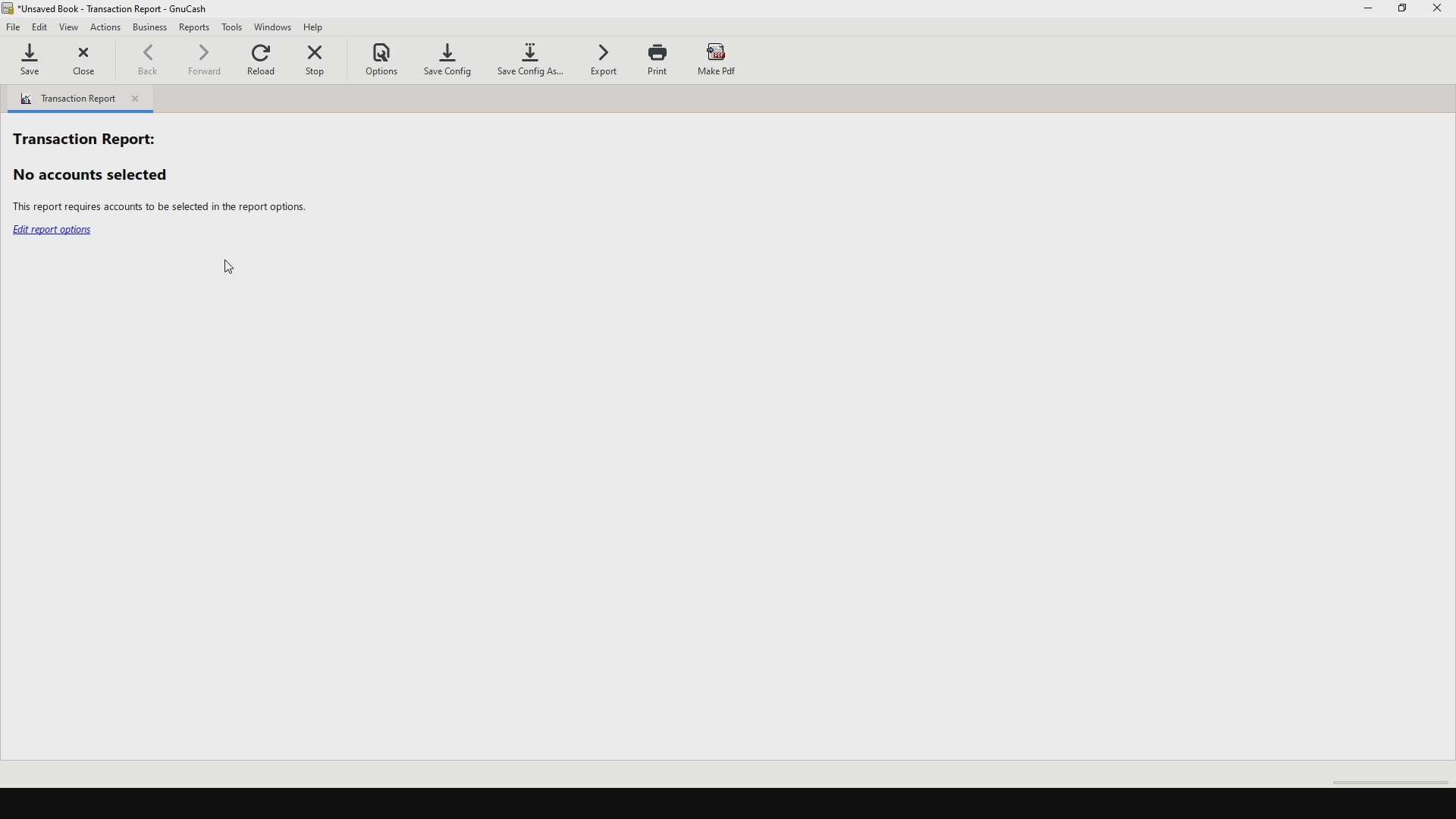  I want to click on save config as, so click(532, 64).